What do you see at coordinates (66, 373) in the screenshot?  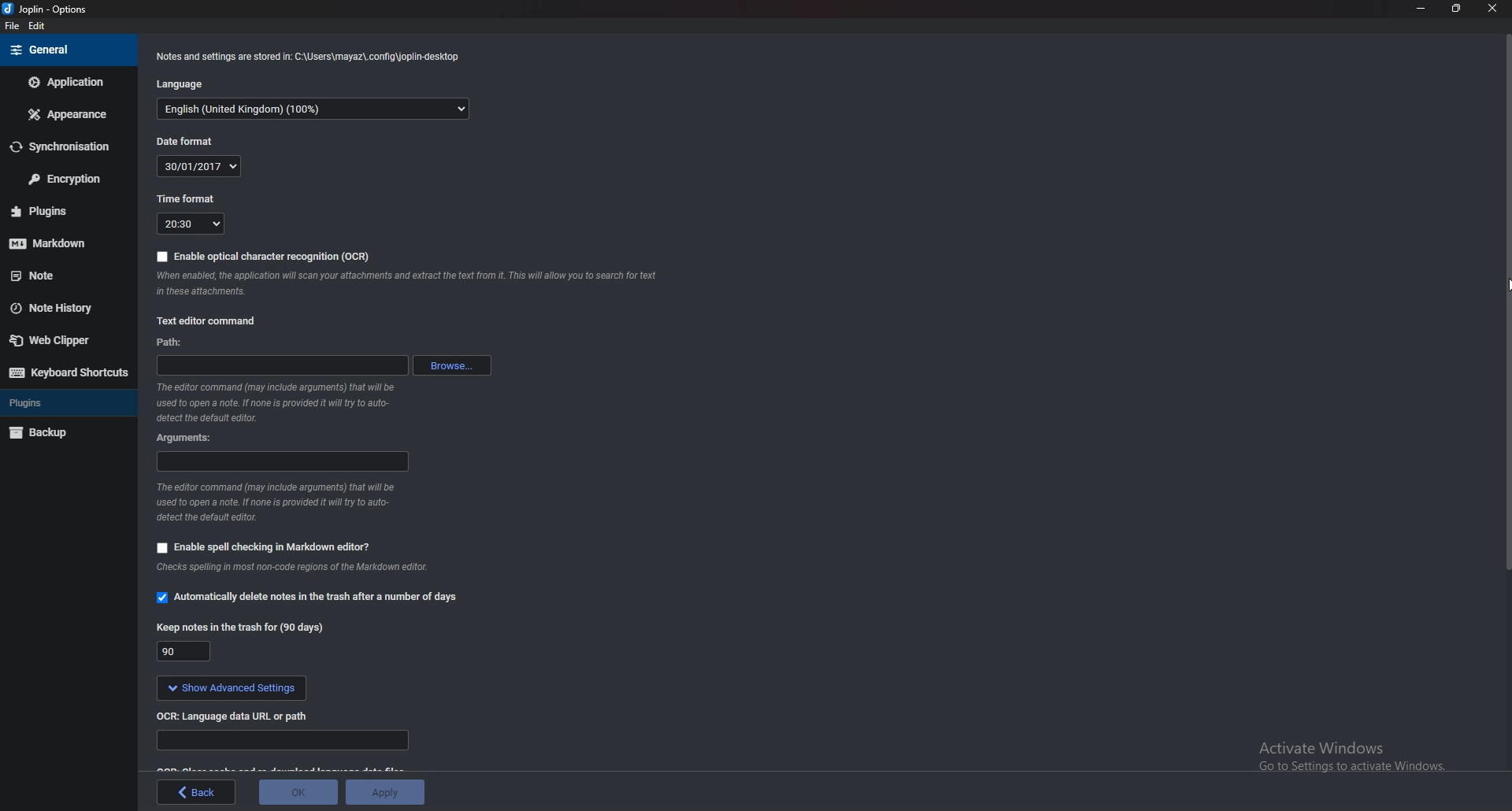 I see `Keyboard shortcuts` at bounding box center [66, 373].